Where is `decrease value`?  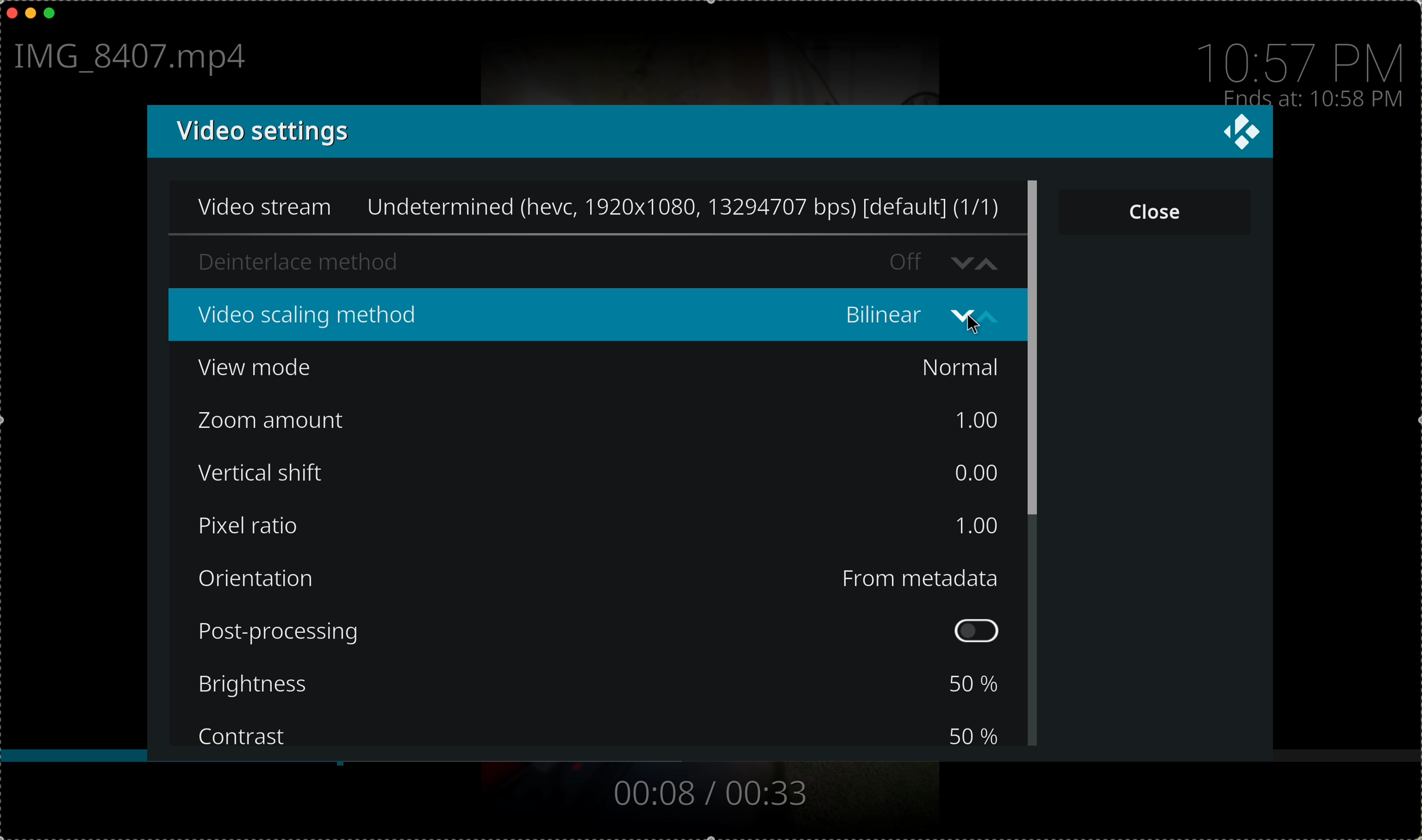 decrease value is located at coordinates (959, 260).